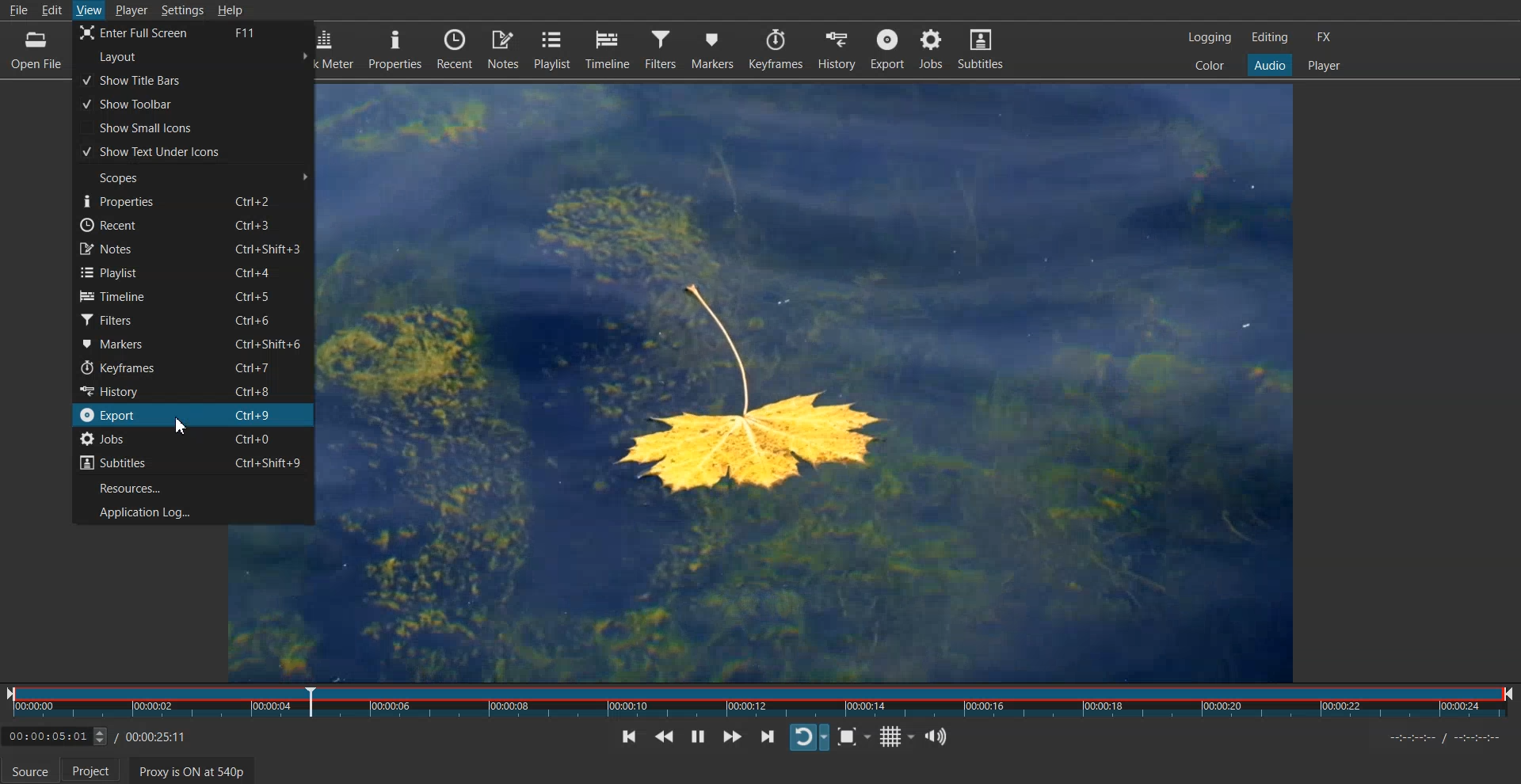 The height and width of the screenshot is (784, 1521). What do you see at coordinates (193, 151) in the screenshot?
I see `Show text under Icons` at bounding box center [193, 151].